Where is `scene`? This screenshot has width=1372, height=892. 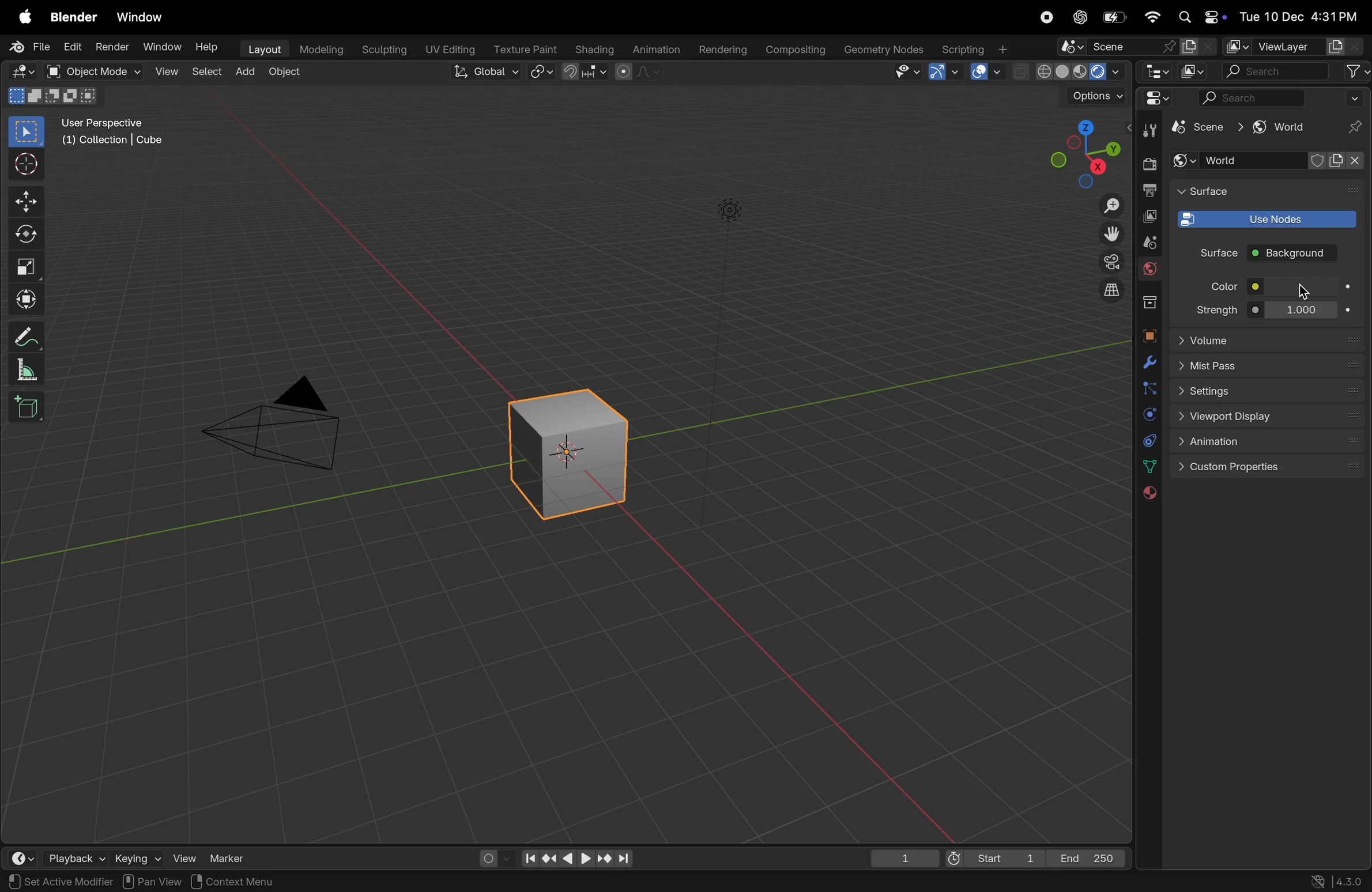
scene is located at coordinates (1208, 131).